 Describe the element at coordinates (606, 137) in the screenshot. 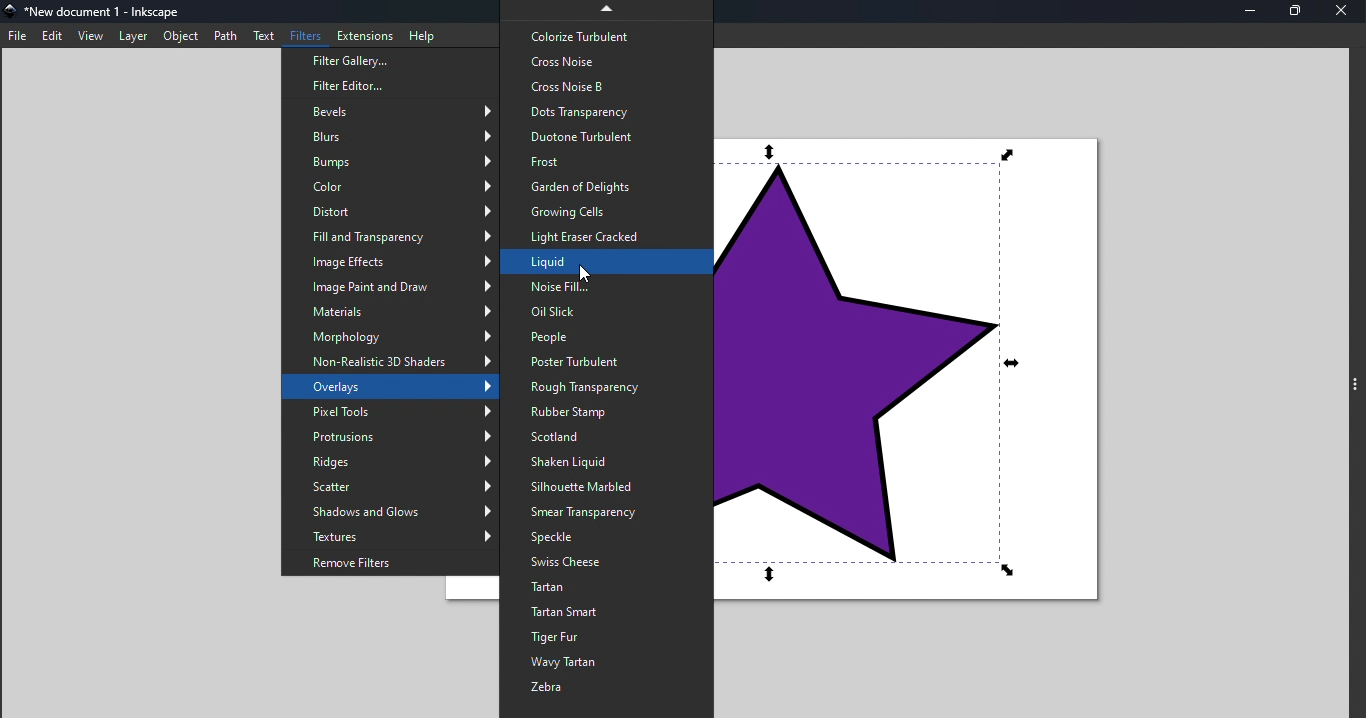

I see `Duotone turbulent` at that location.